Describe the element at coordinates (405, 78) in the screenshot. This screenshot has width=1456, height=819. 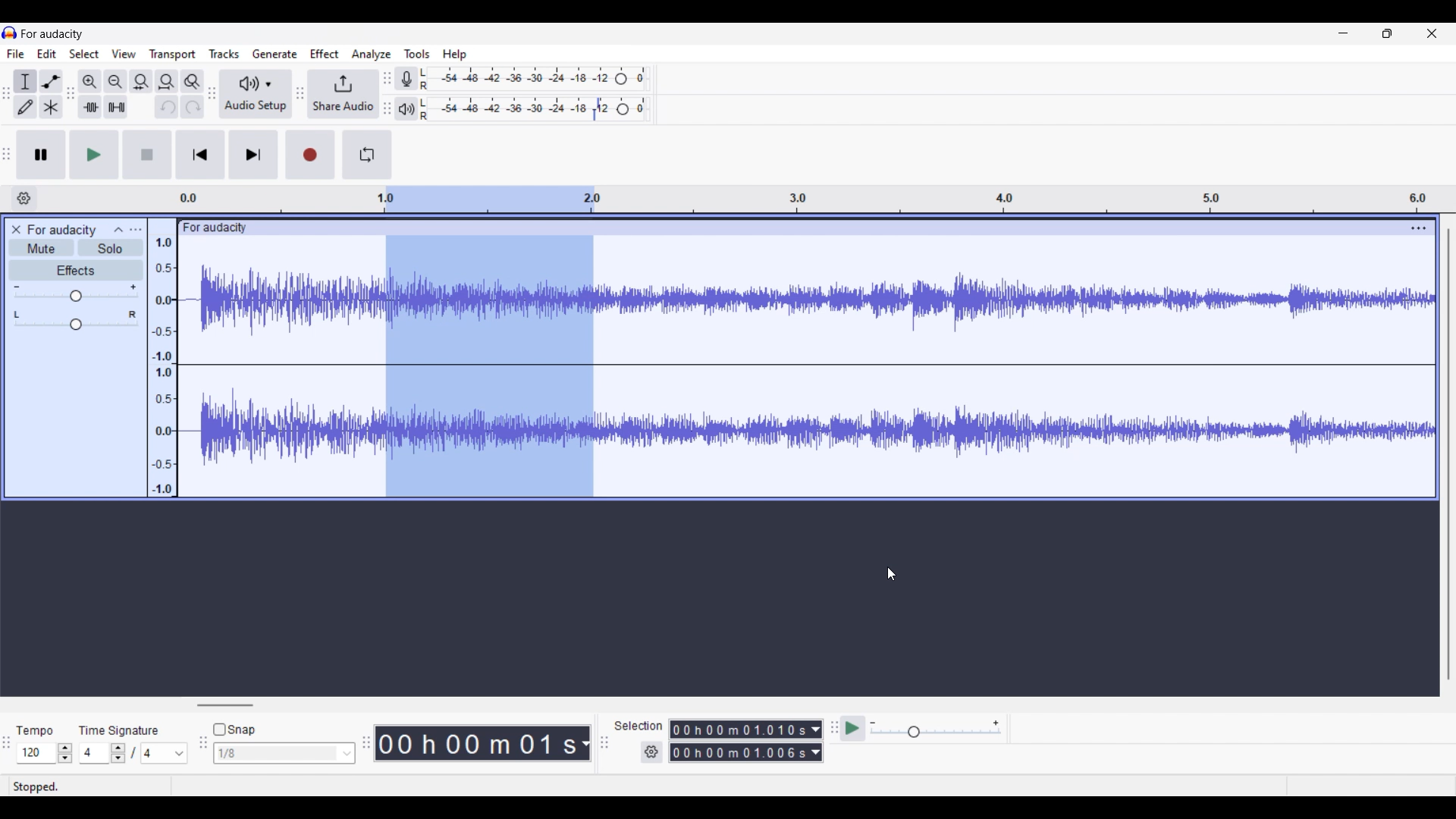
I see `Record meter` at that location.